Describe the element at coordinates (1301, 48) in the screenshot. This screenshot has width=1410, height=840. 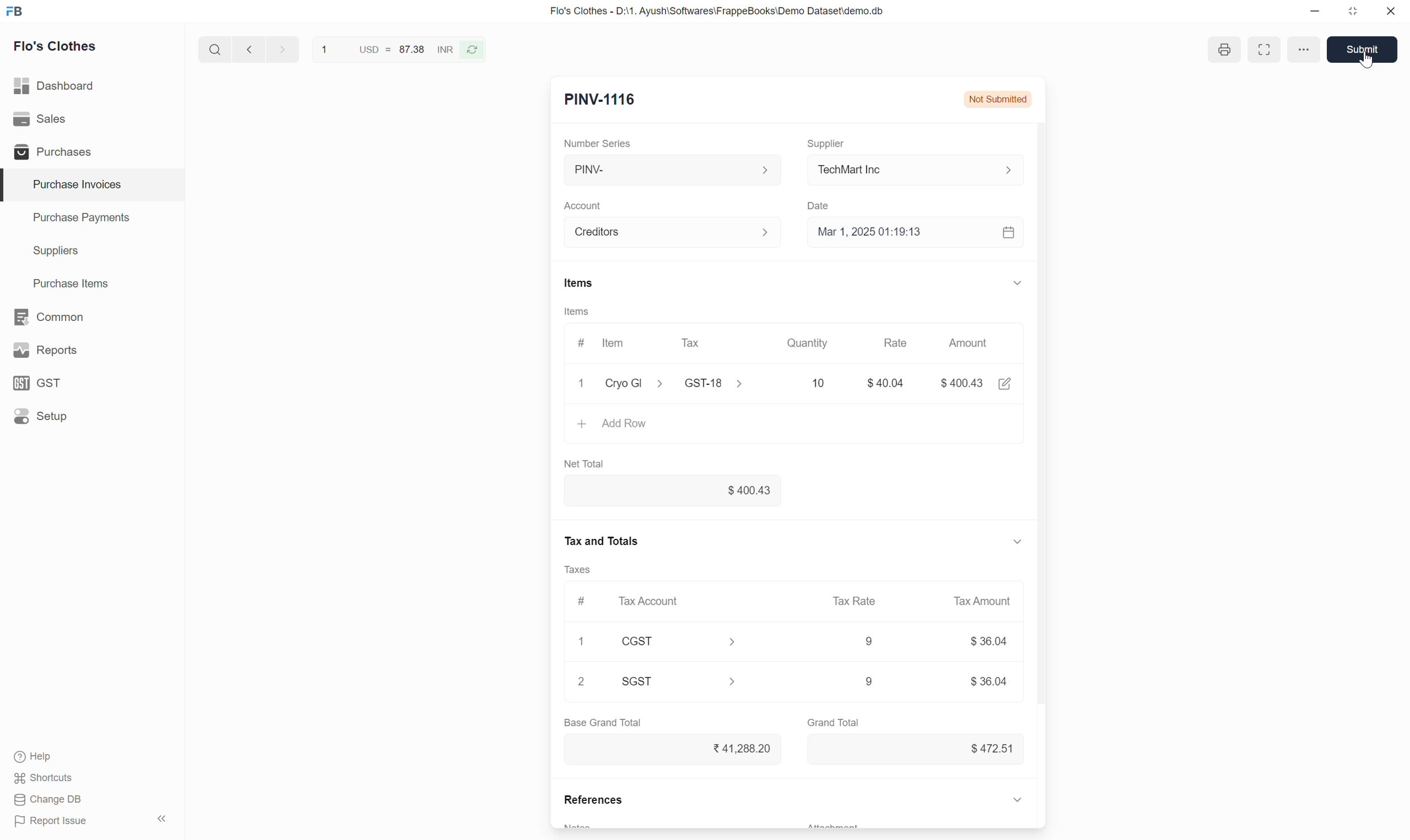
I see `more` at that location.